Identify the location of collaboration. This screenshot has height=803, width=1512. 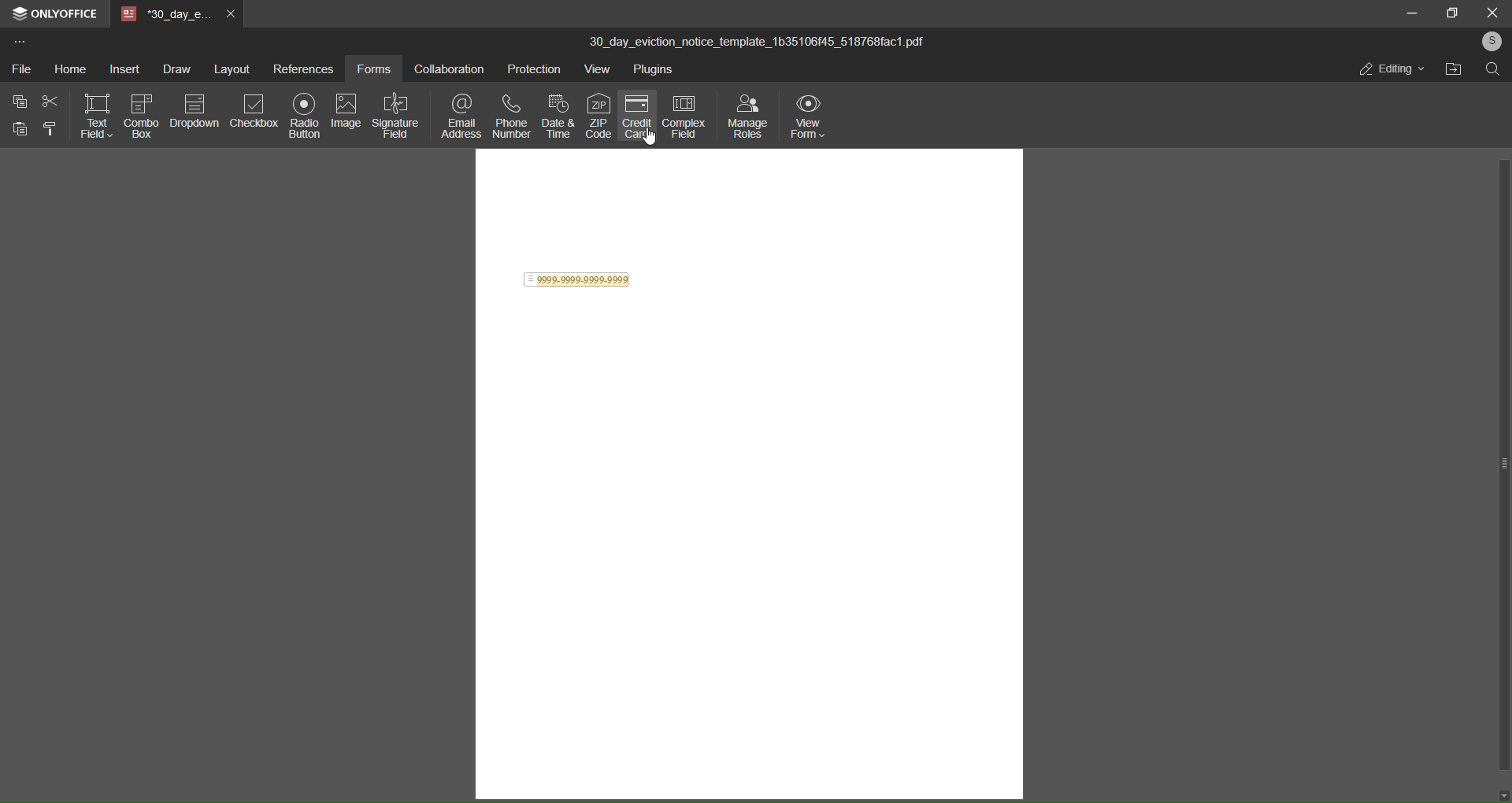
(451, 68).